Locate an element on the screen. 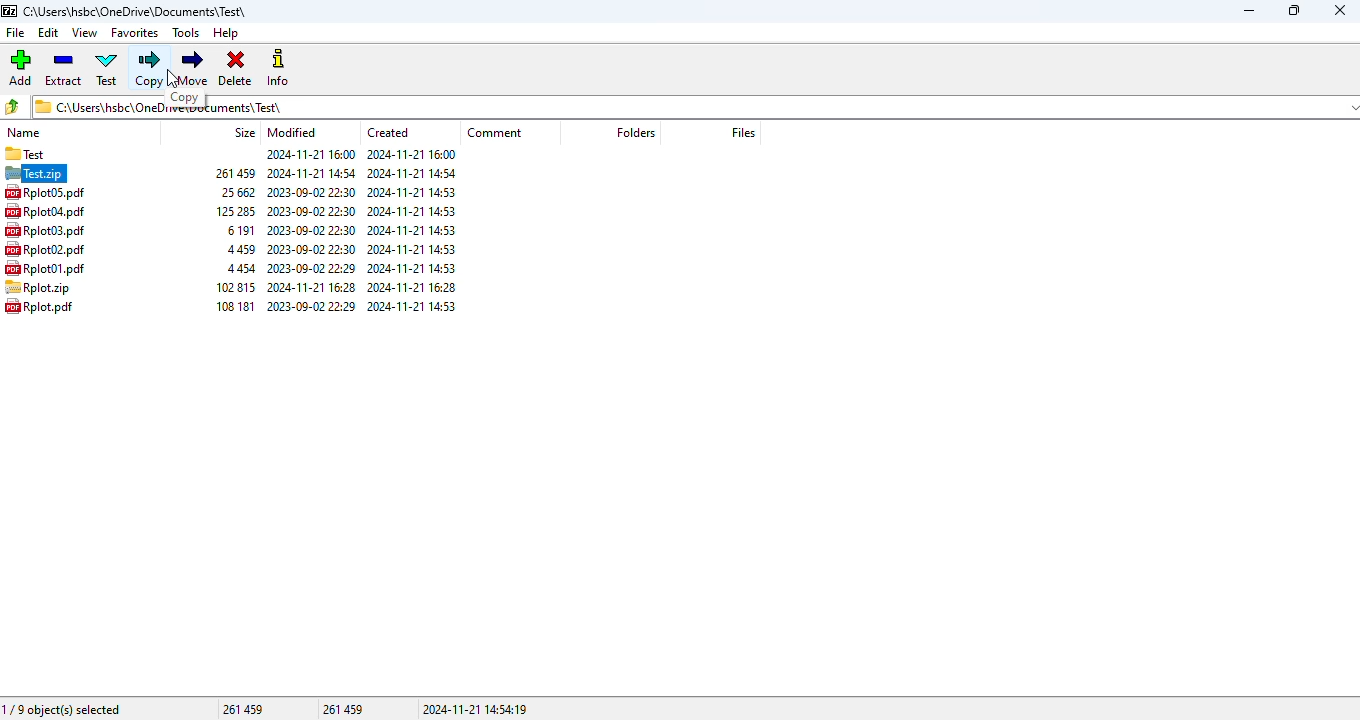 Image resolution: width=1360 pixels, height=720 pixels. move is located at coordinates (194, 69).